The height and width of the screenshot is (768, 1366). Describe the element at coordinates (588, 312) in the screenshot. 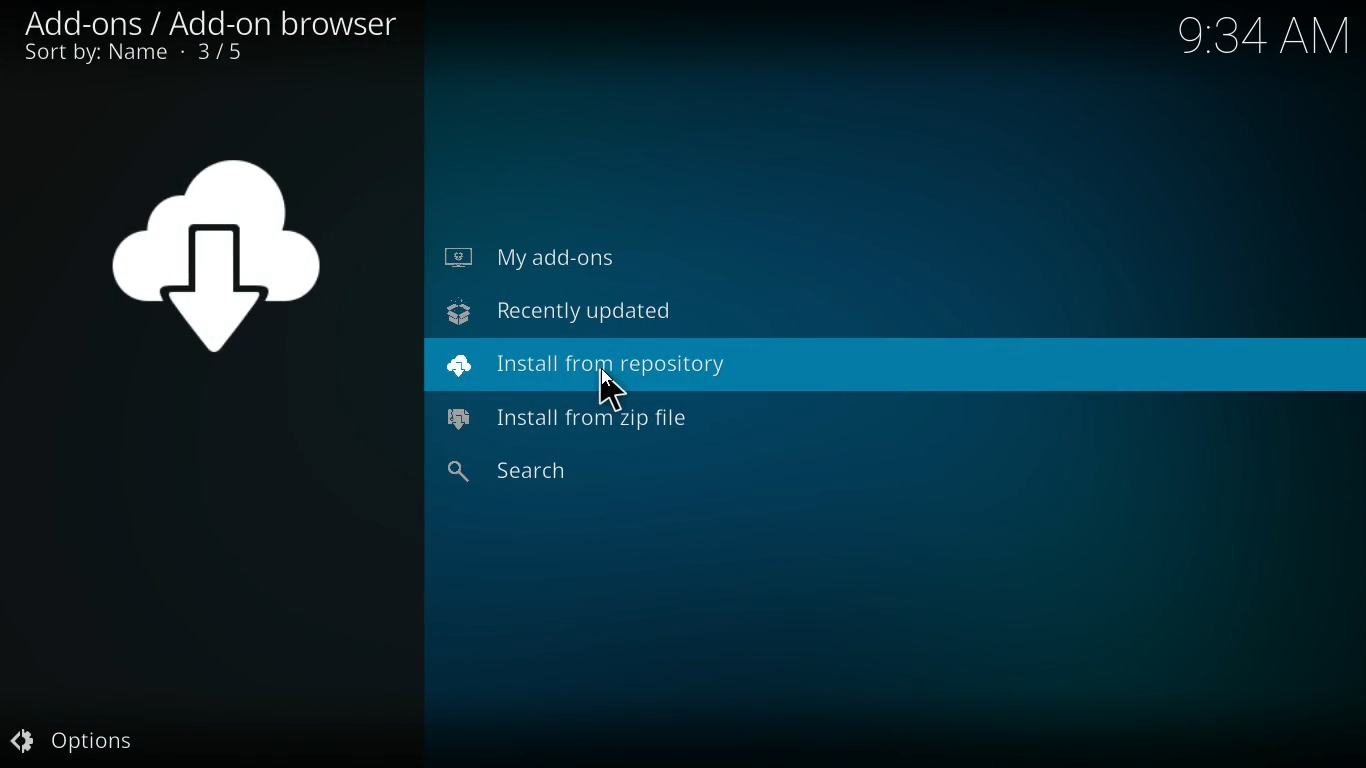

I see `recently updated` at that location.